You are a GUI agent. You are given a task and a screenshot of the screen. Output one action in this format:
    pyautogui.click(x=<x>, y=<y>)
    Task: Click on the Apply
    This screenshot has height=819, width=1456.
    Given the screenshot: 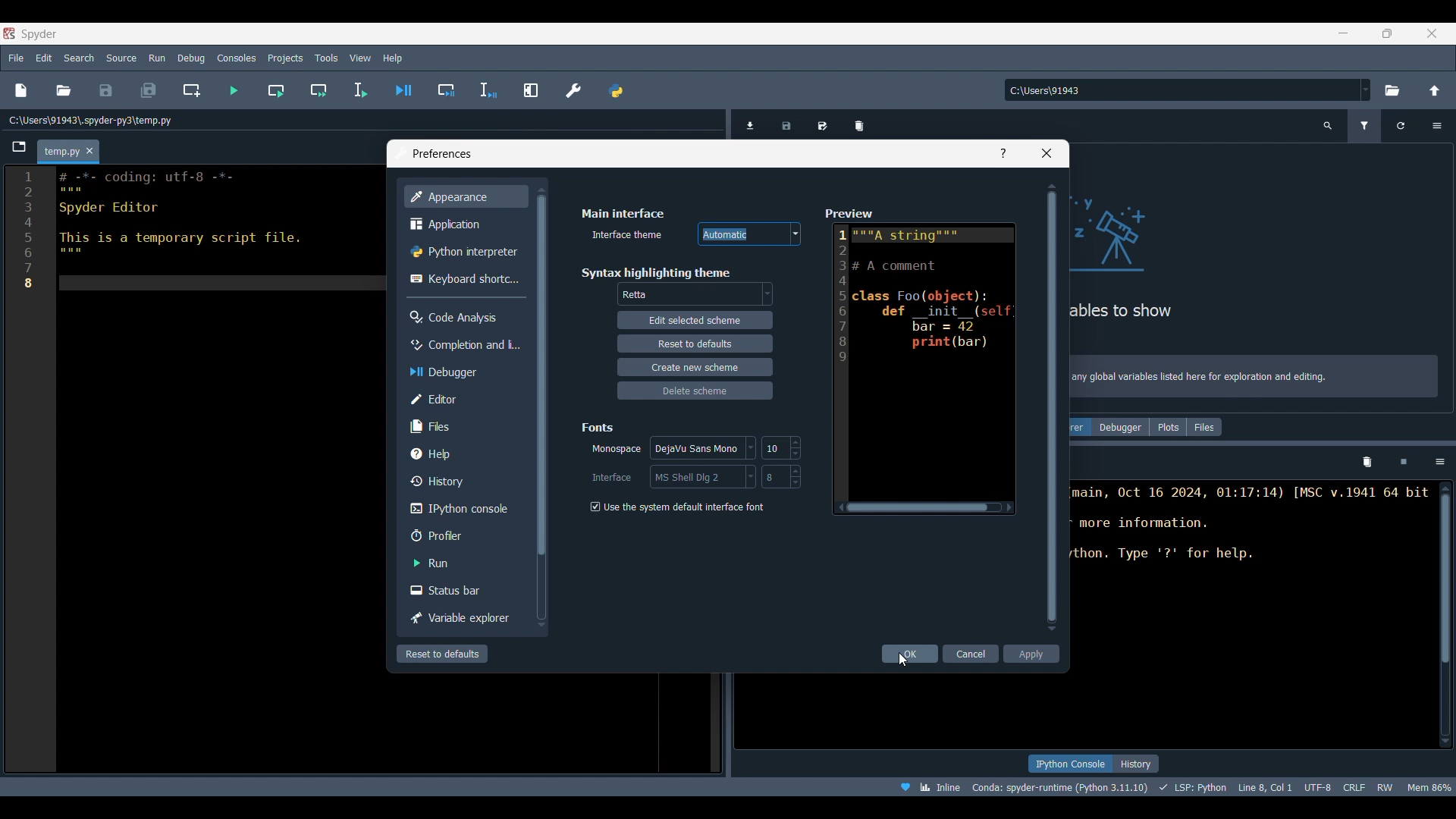 What is the action you would take?
    pyautogui.click(x=1031, y=654)
    